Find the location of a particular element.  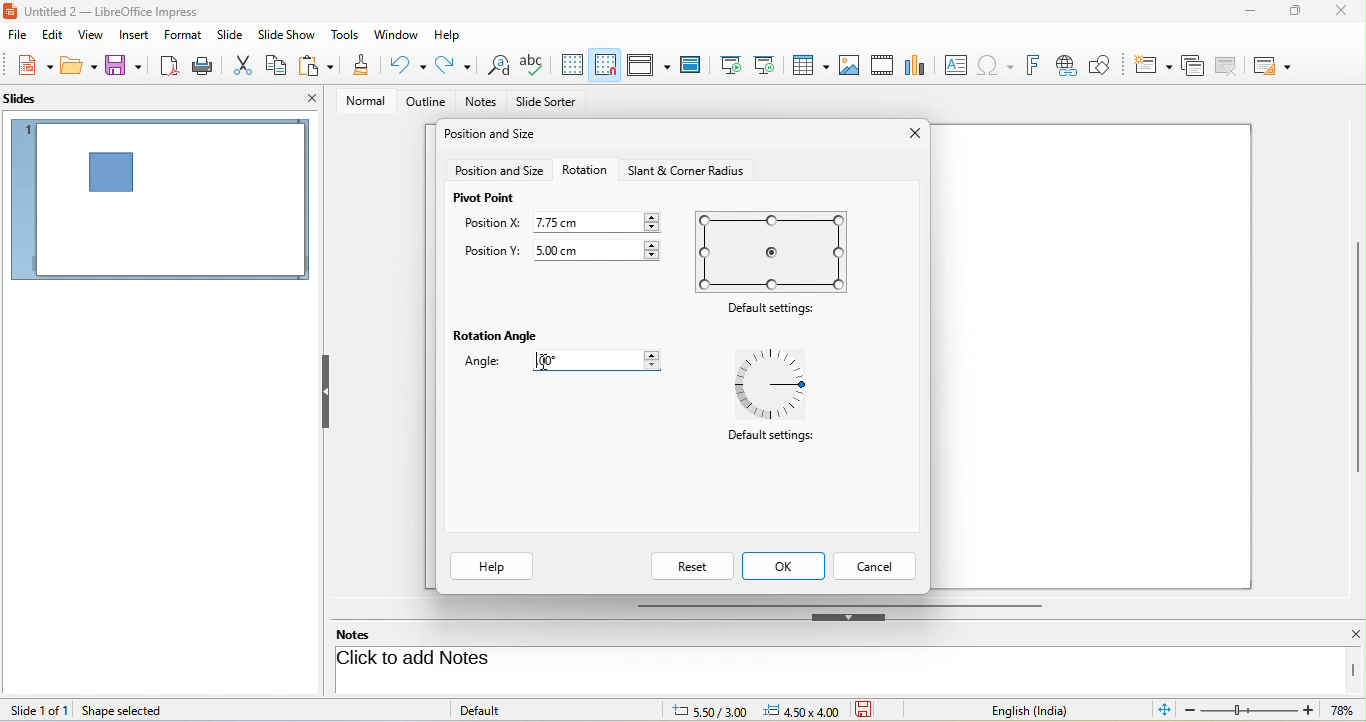

rotation is located at coordinates (585, 169).